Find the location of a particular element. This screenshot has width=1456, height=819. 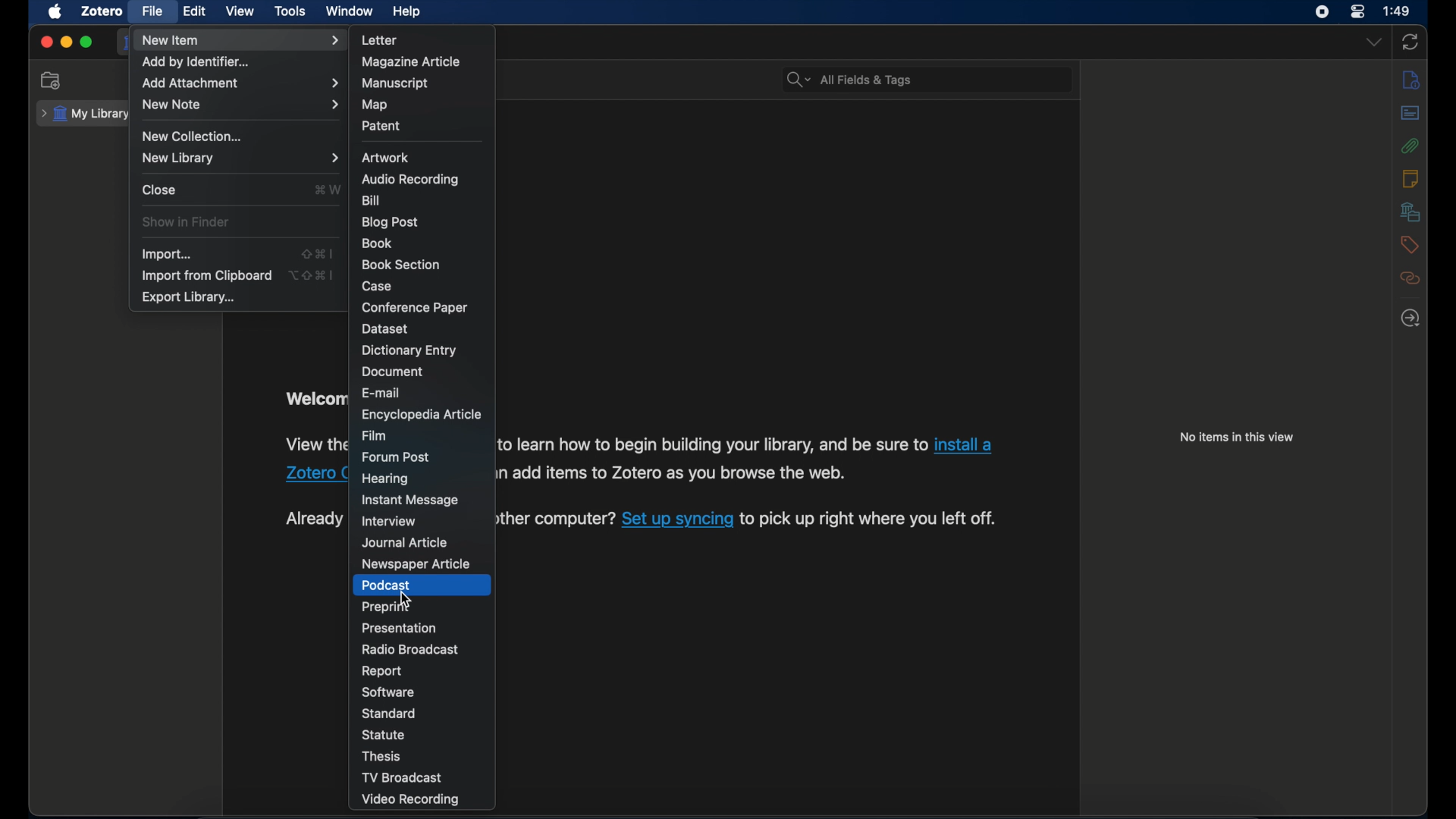

apple is located at coordinates (55, 12).